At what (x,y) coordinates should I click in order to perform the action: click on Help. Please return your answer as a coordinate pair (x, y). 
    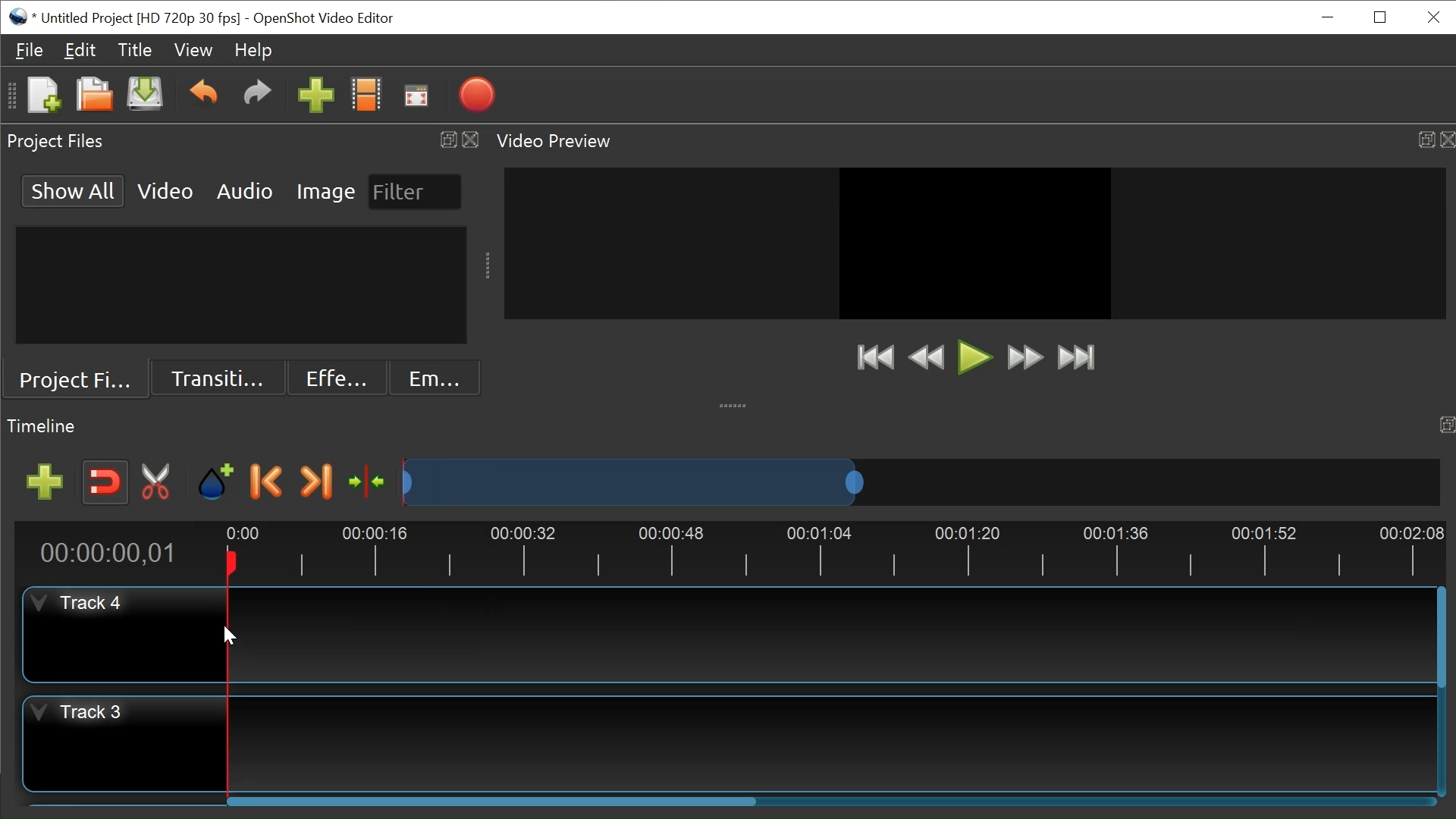
    Looking at the image, I should click on (253, 50).